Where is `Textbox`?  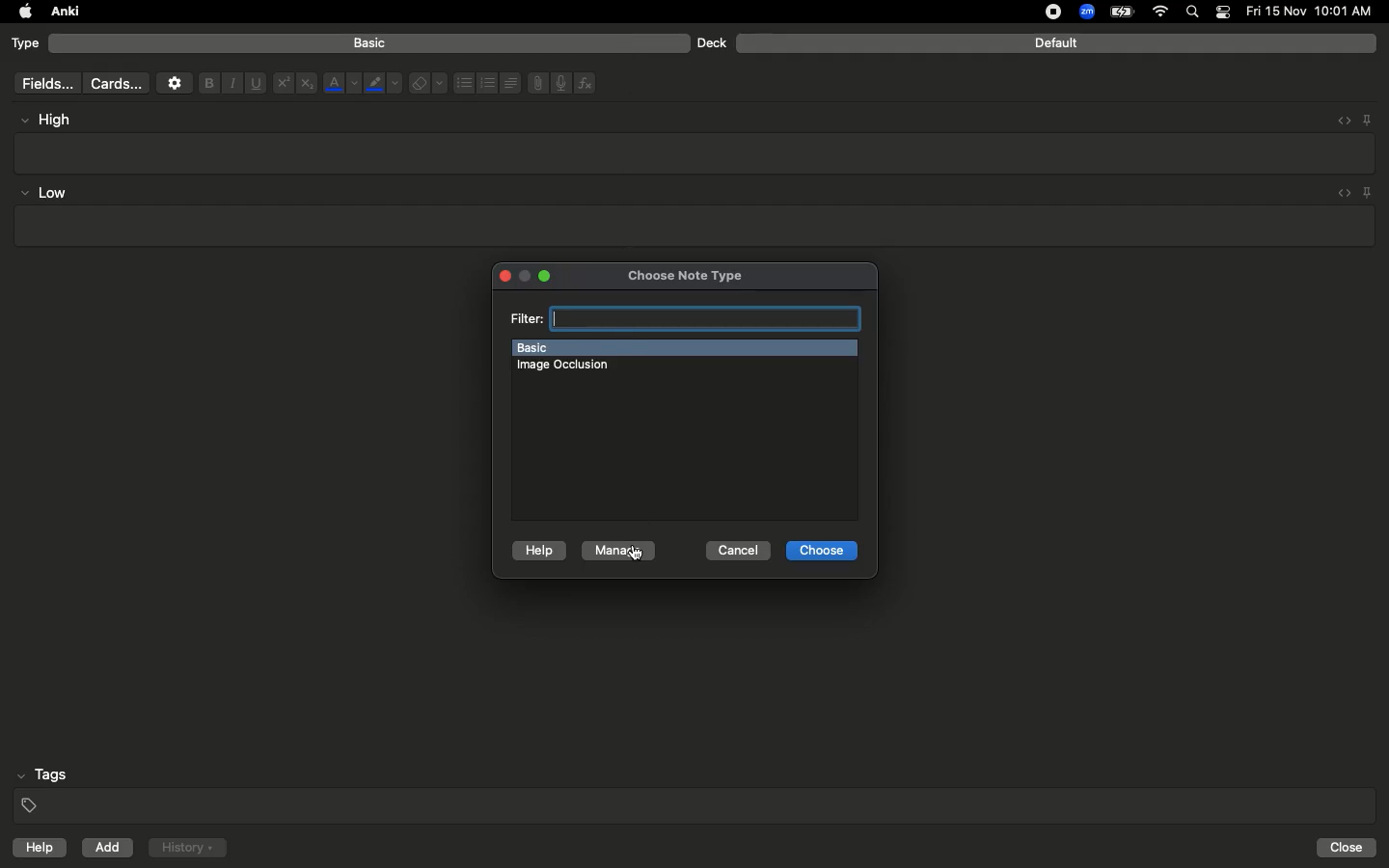
Textbox is located at coordinates (696, 152).